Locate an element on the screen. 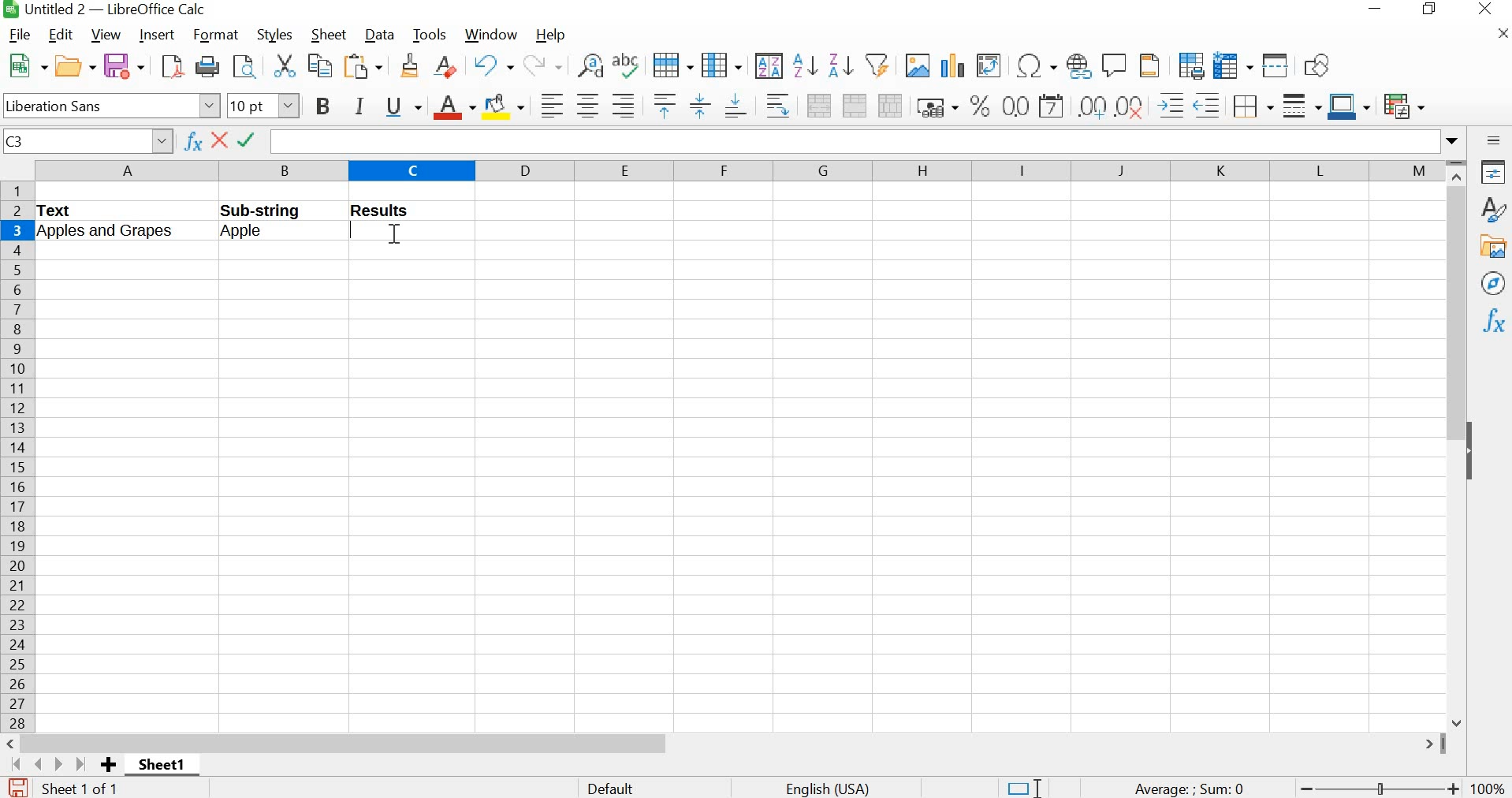 Image resolution: width=1512 pixels, height=798 pixels. open is located at coordinates (74, 63).